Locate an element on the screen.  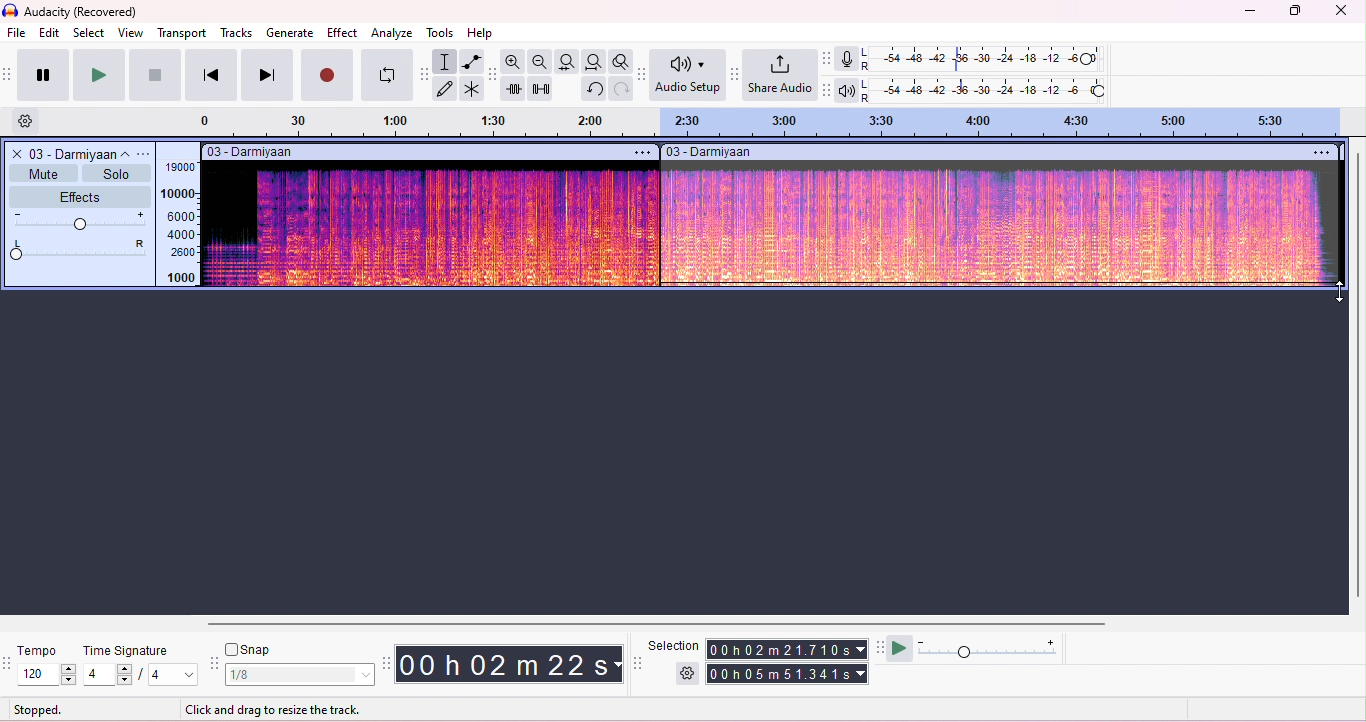
next is located at coordinates (266, 75).